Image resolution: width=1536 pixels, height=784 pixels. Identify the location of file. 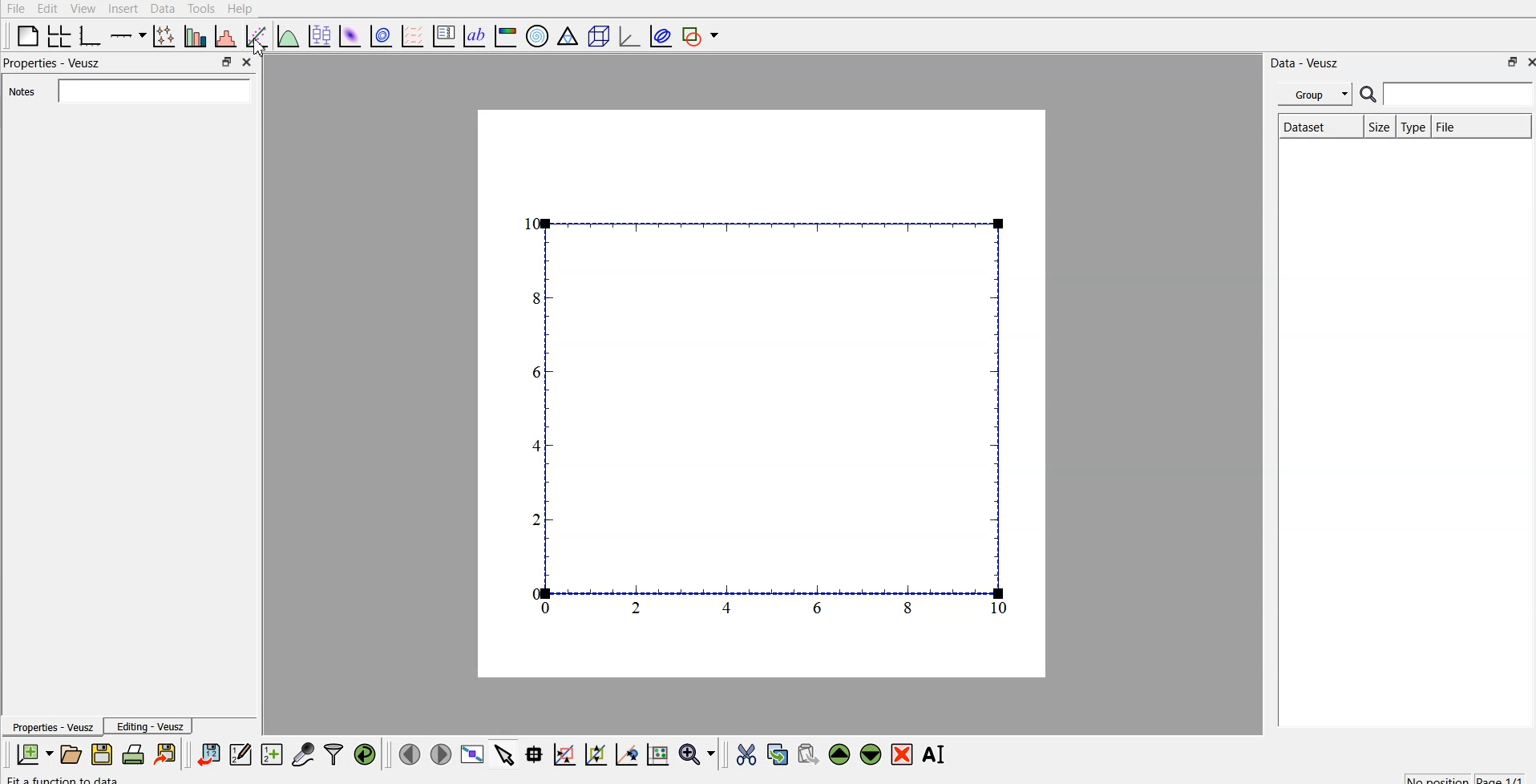
(1478, 126).